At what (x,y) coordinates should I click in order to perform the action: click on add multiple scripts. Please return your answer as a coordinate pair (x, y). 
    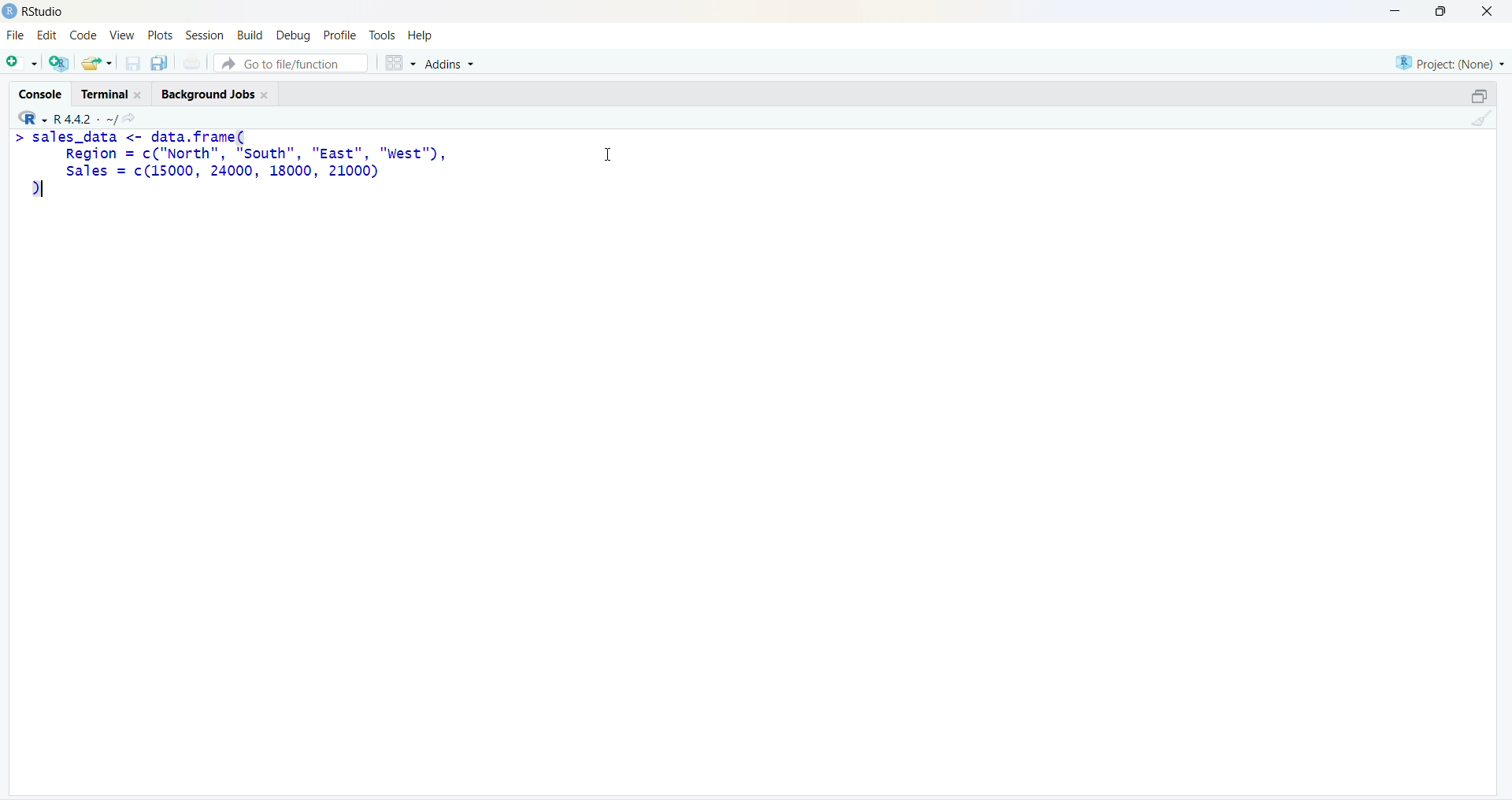
    Looking at the image, I should click on (60, 65).